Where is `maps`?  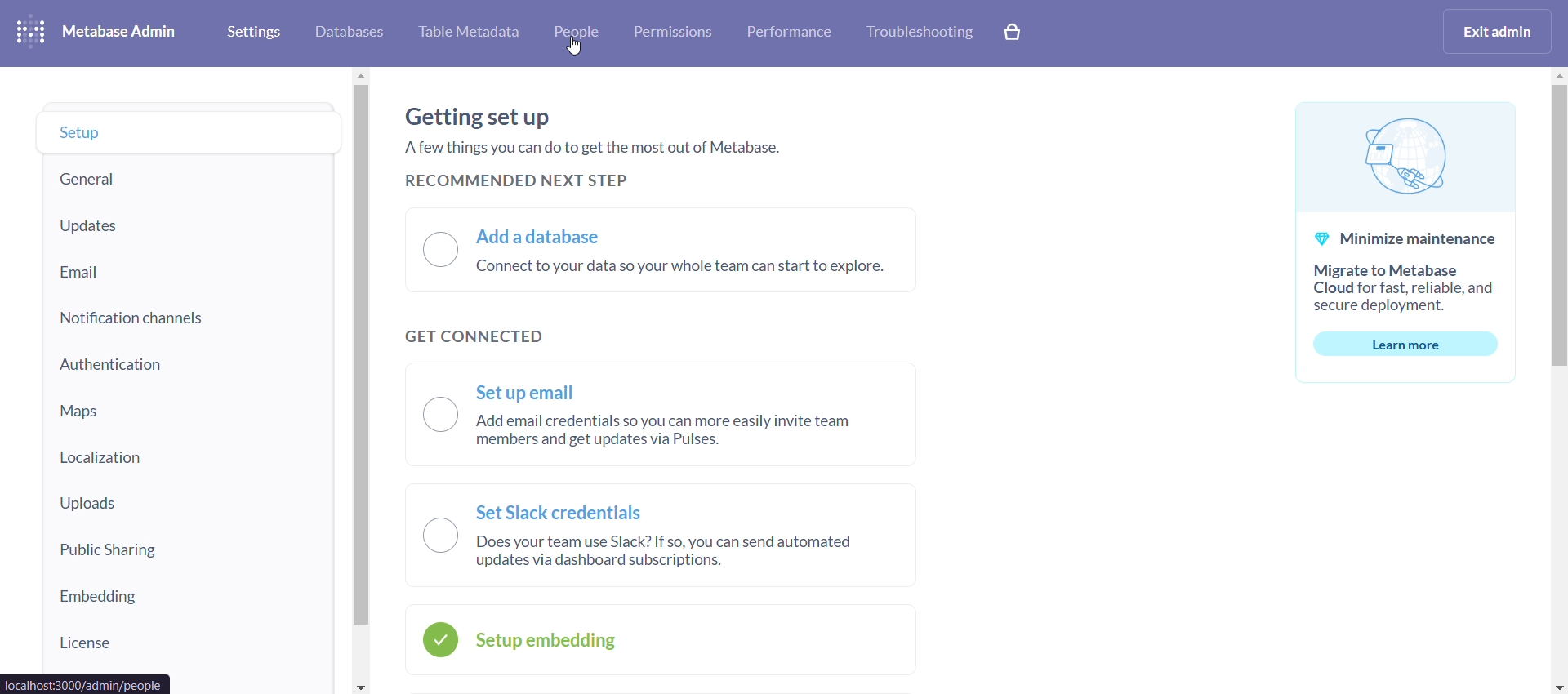 maps is located at coordinates (187, 410).